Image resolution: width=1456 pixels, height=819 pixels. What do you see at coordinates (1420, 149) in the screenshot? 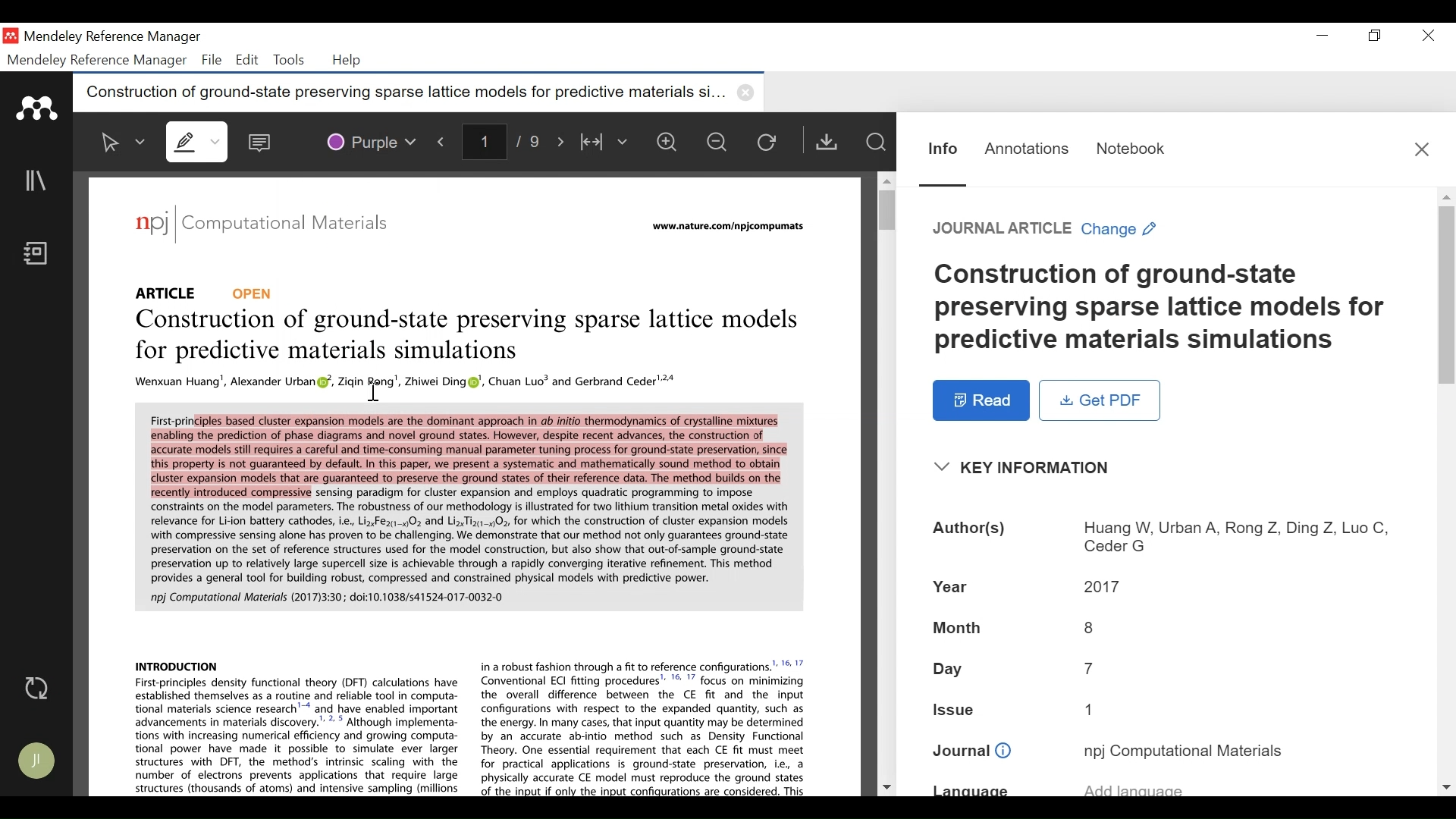
I see `Close` at bounding box center [1420, 149].